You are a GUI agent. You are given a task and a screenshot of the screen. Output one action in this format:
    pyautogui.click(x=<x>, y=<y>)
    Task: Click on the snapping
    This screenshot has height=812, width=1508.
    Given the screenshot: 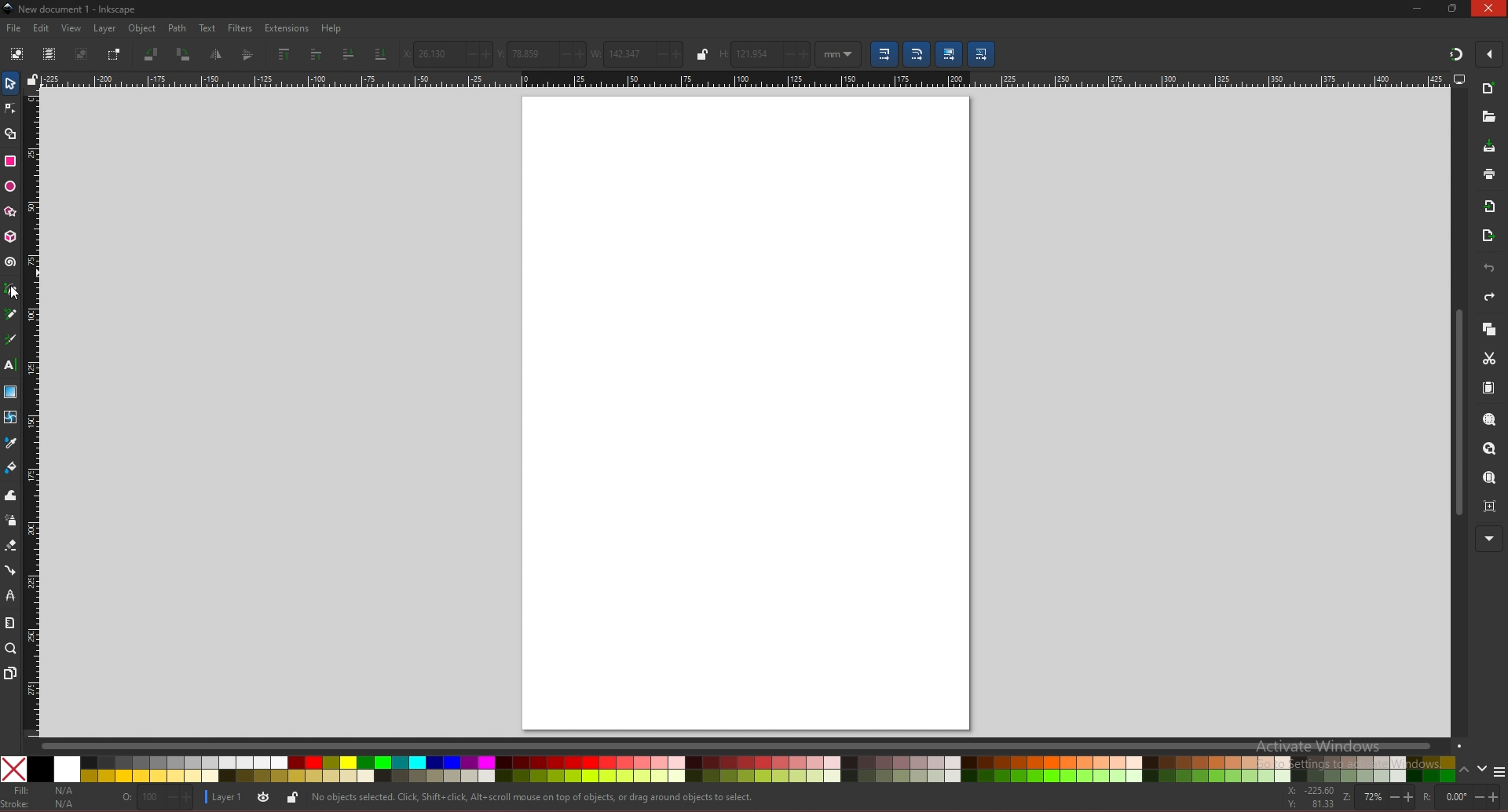 What is the action you would take?
    pyautogui.click(x=1456, y=53)
    